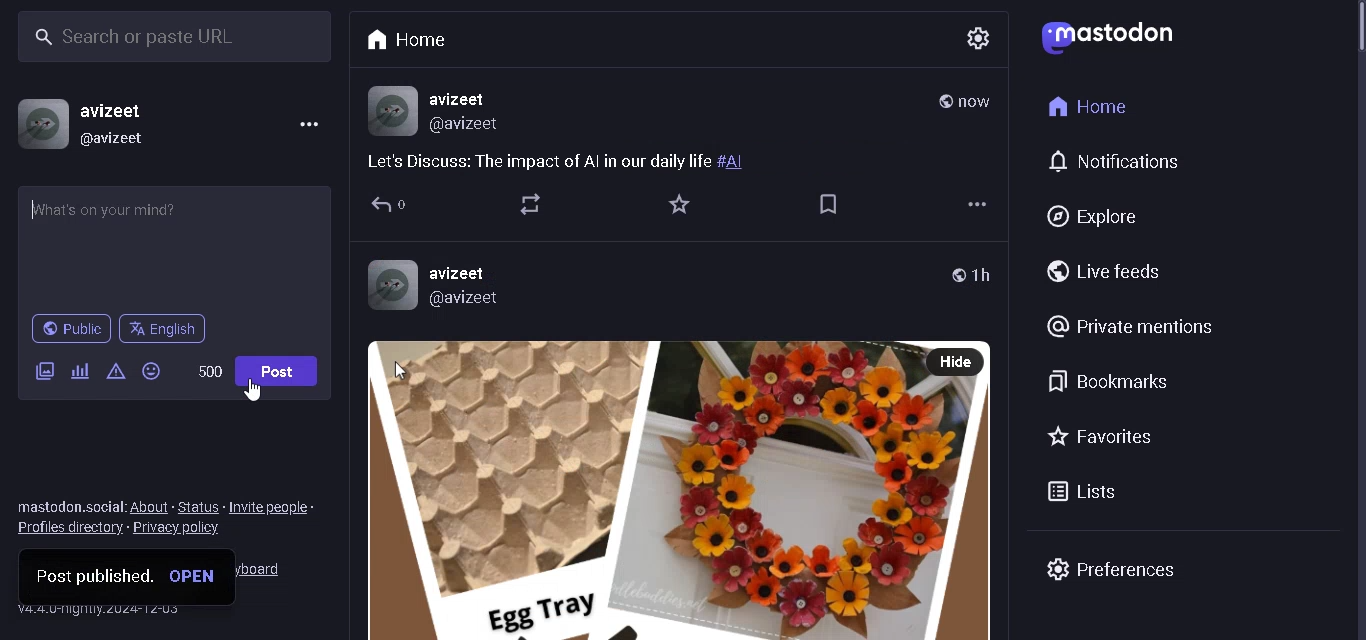  What do you see at coordinates (645, 490) in the screenshot?
I see `image` at bounding box center [645, 490].